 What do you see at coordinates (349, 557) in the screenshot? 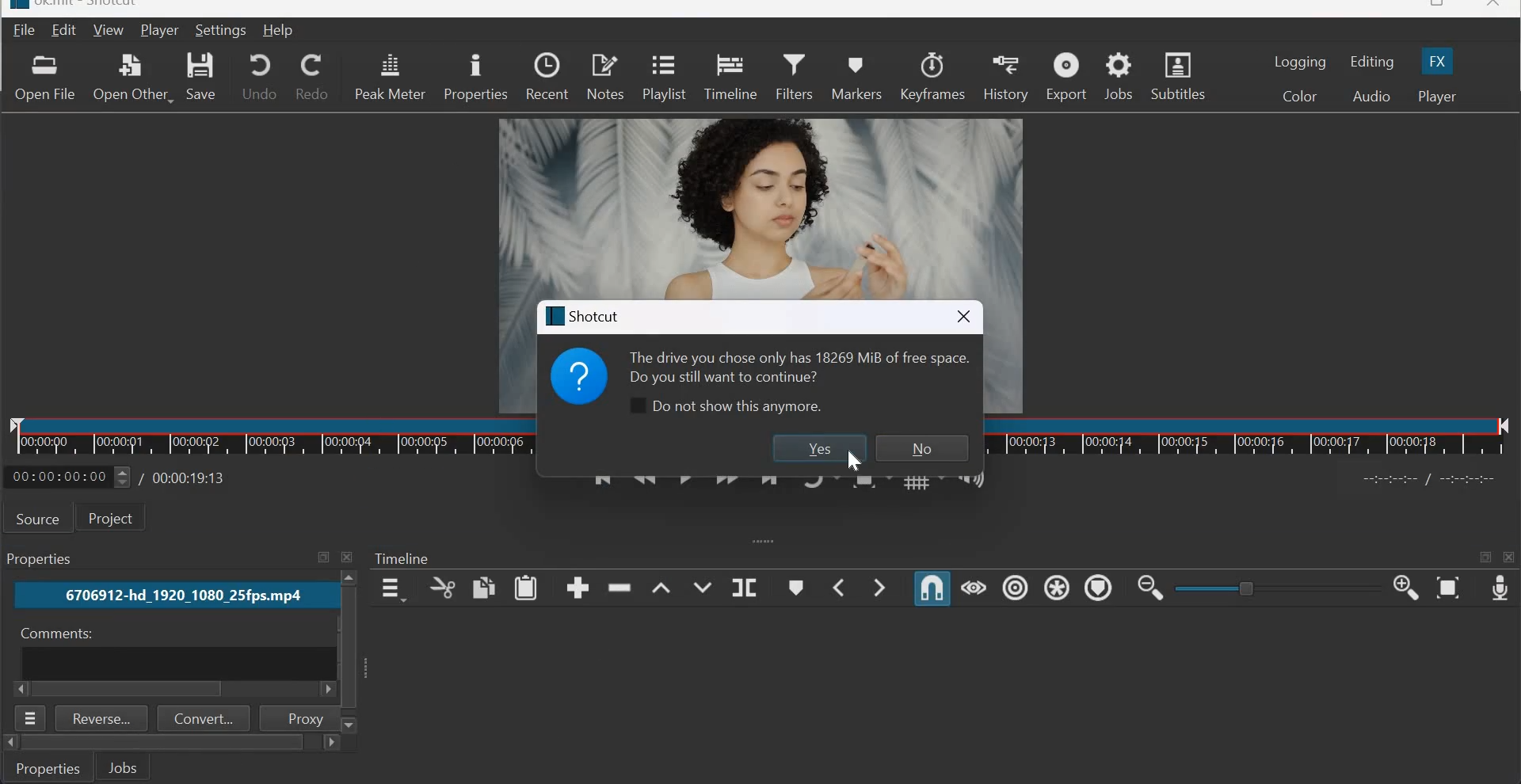
I see `close` at bounding box center [349, 557].